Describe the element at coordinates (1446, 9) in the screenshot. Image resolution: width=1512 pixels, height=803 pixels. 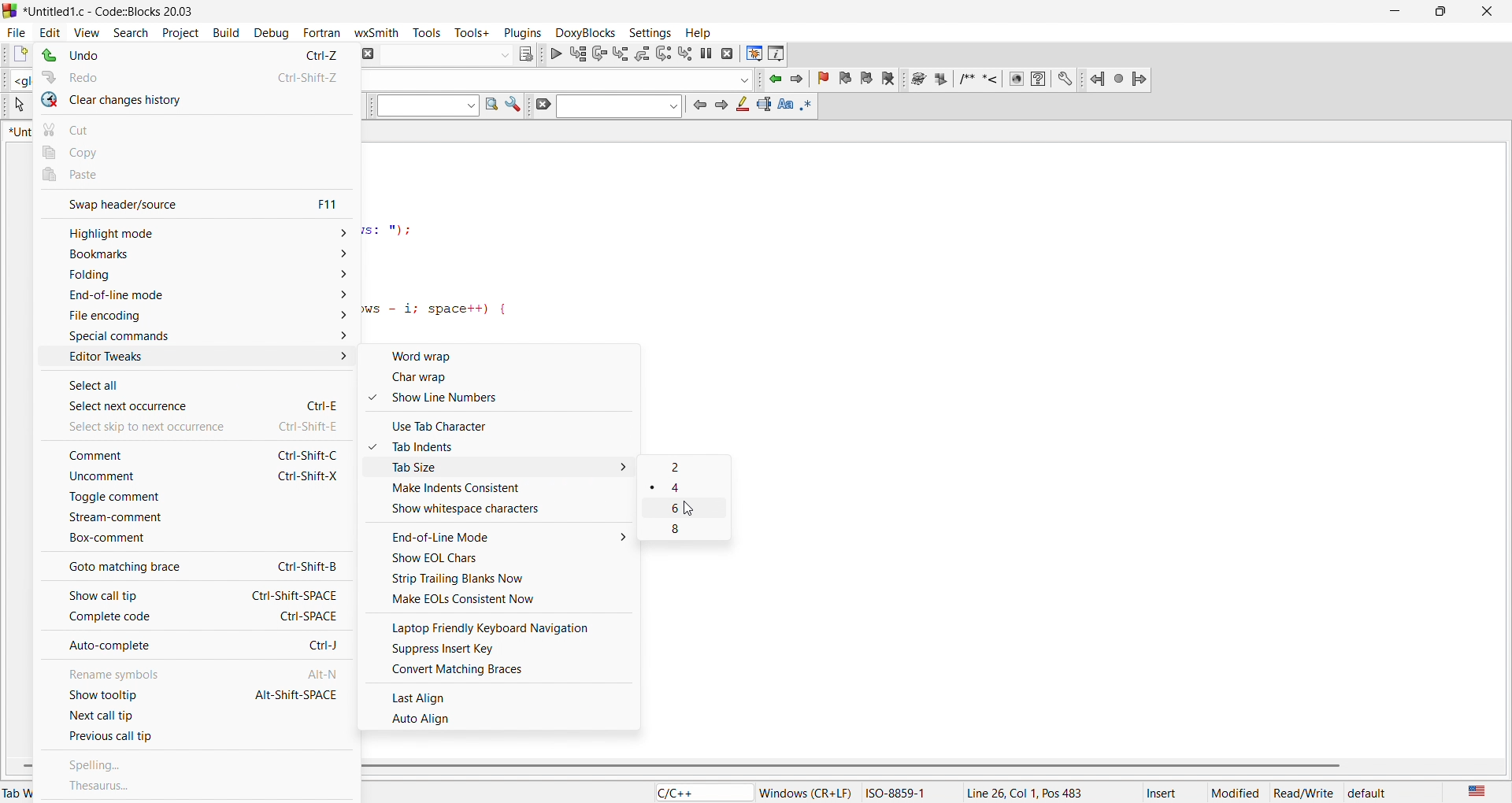
I see `maximize/resize` at that location.